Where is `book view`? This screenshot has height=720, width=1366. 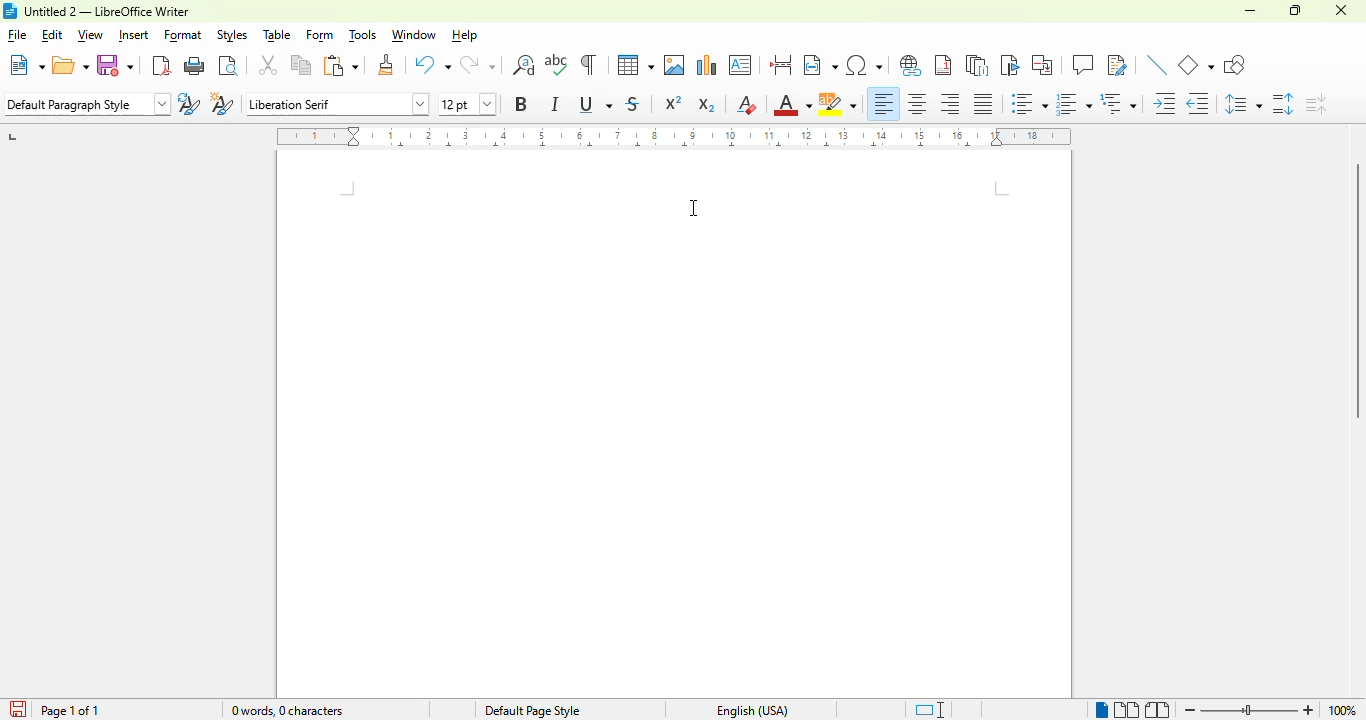
book view is located at coordinates (1156, 710).